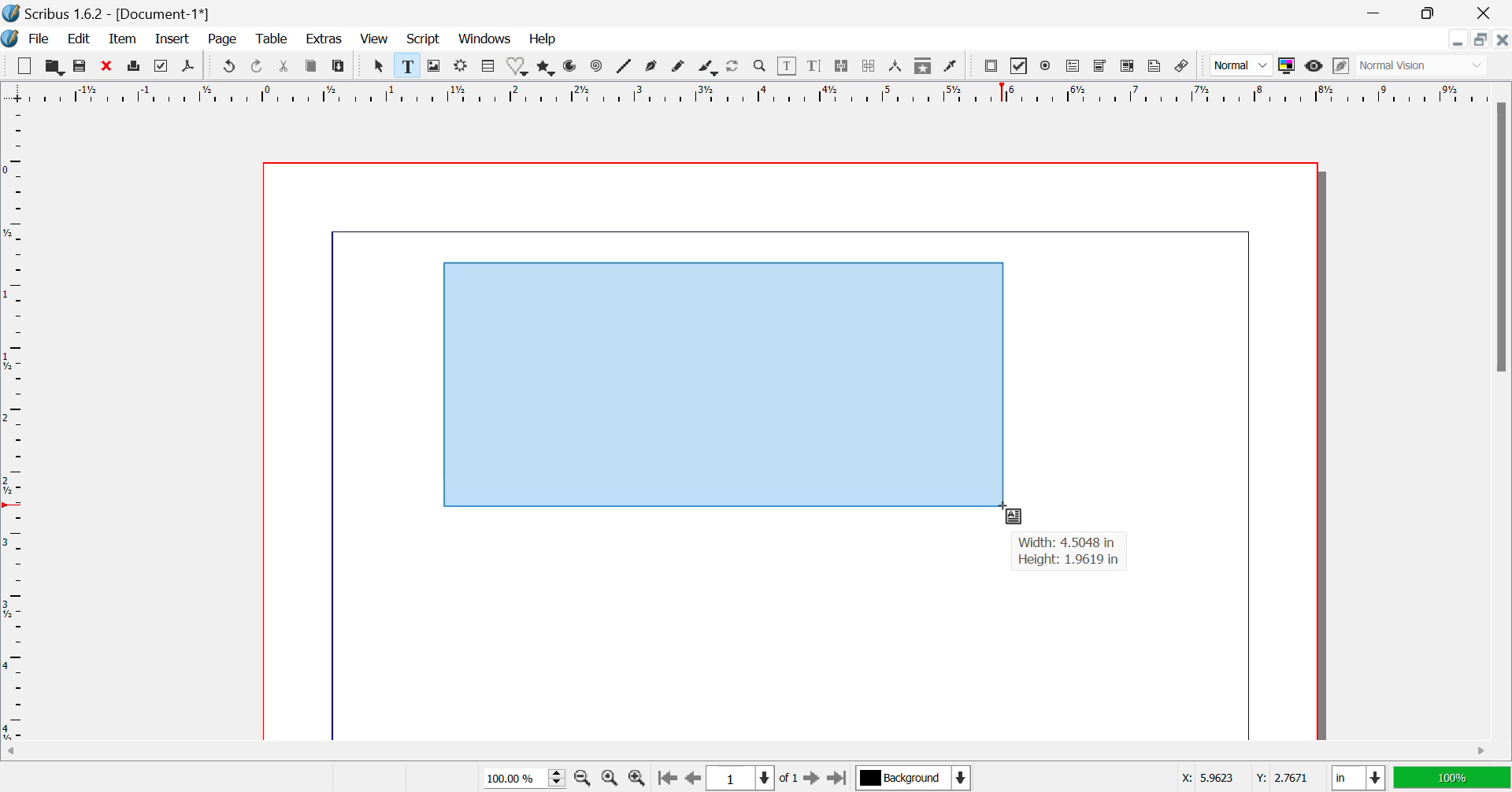 The height and width of the screenshot is (792, 1512). Describe the element at coordinates (839, 68) in the screenshot. I see `Link Text Frames` at that location.